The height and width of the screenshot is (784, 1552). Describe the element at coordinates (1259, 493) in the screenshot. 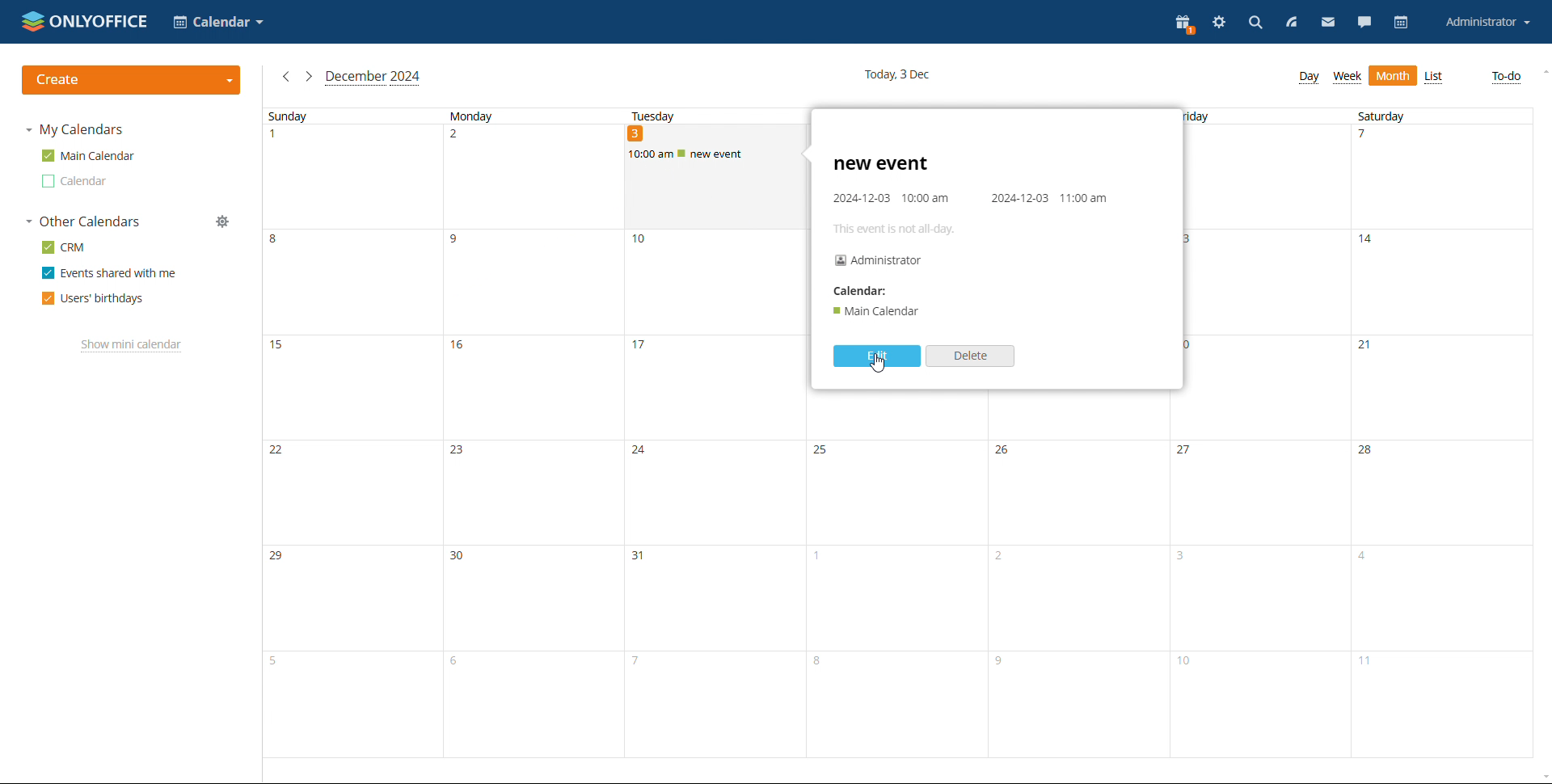

I see `27` at that location.